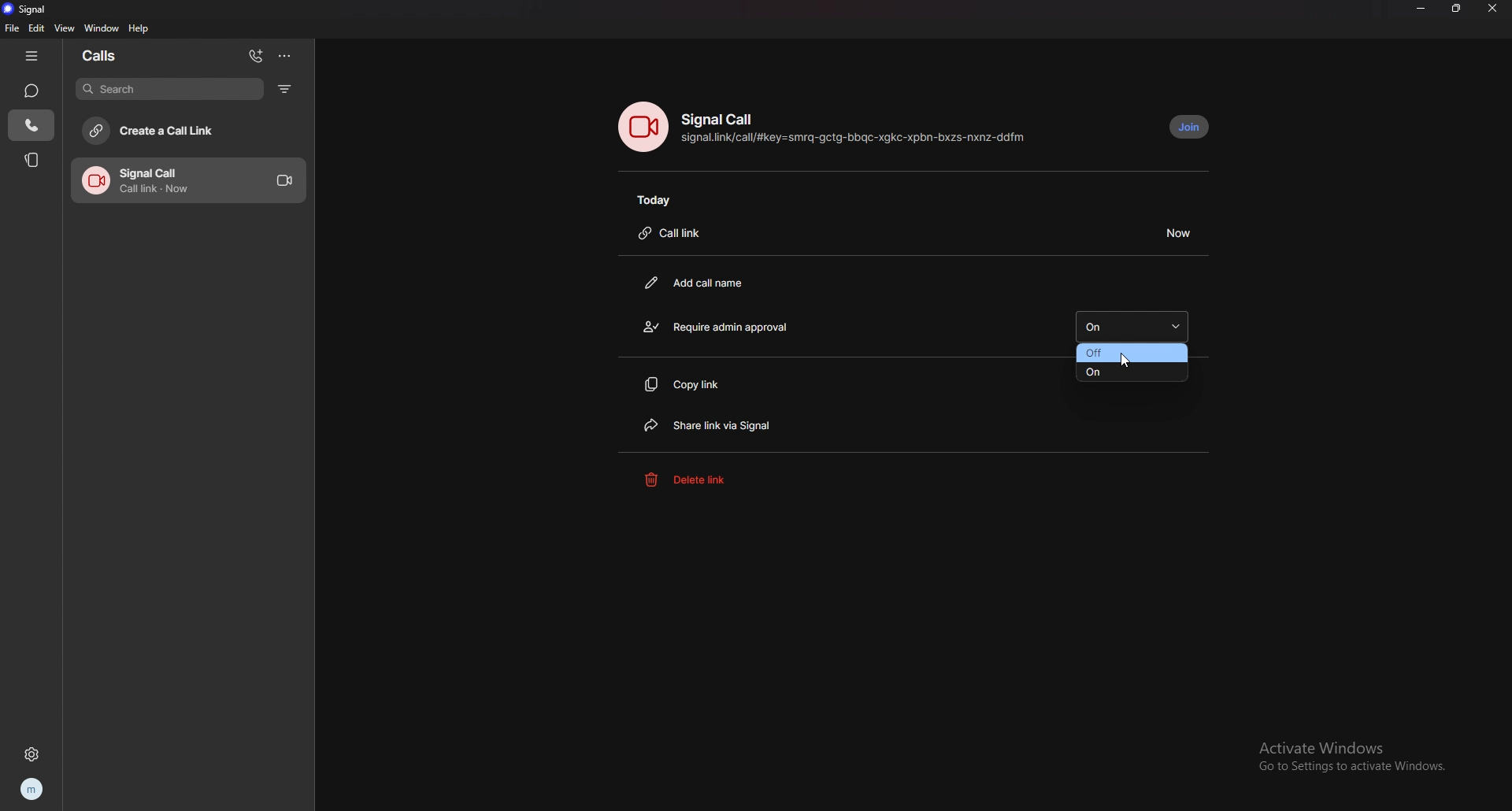 This screenshot has width=1512, height=811. I want to click on stories, so click(33, 158).